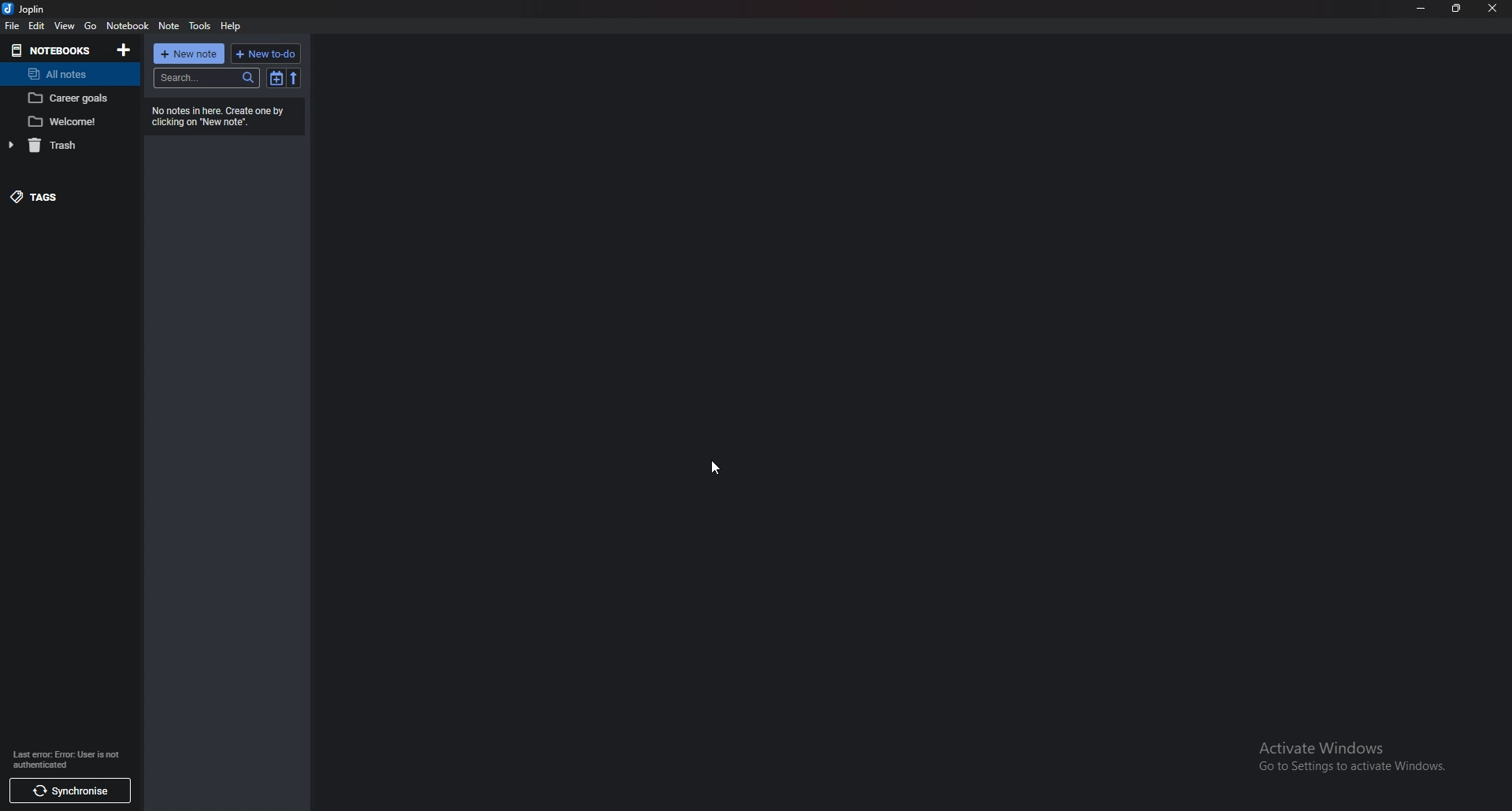 Image resolution: width=1512 pixels, height=811 pixels. Describe the element at coordinates (225, 115) in the screenshot. I see ` info` at that location.